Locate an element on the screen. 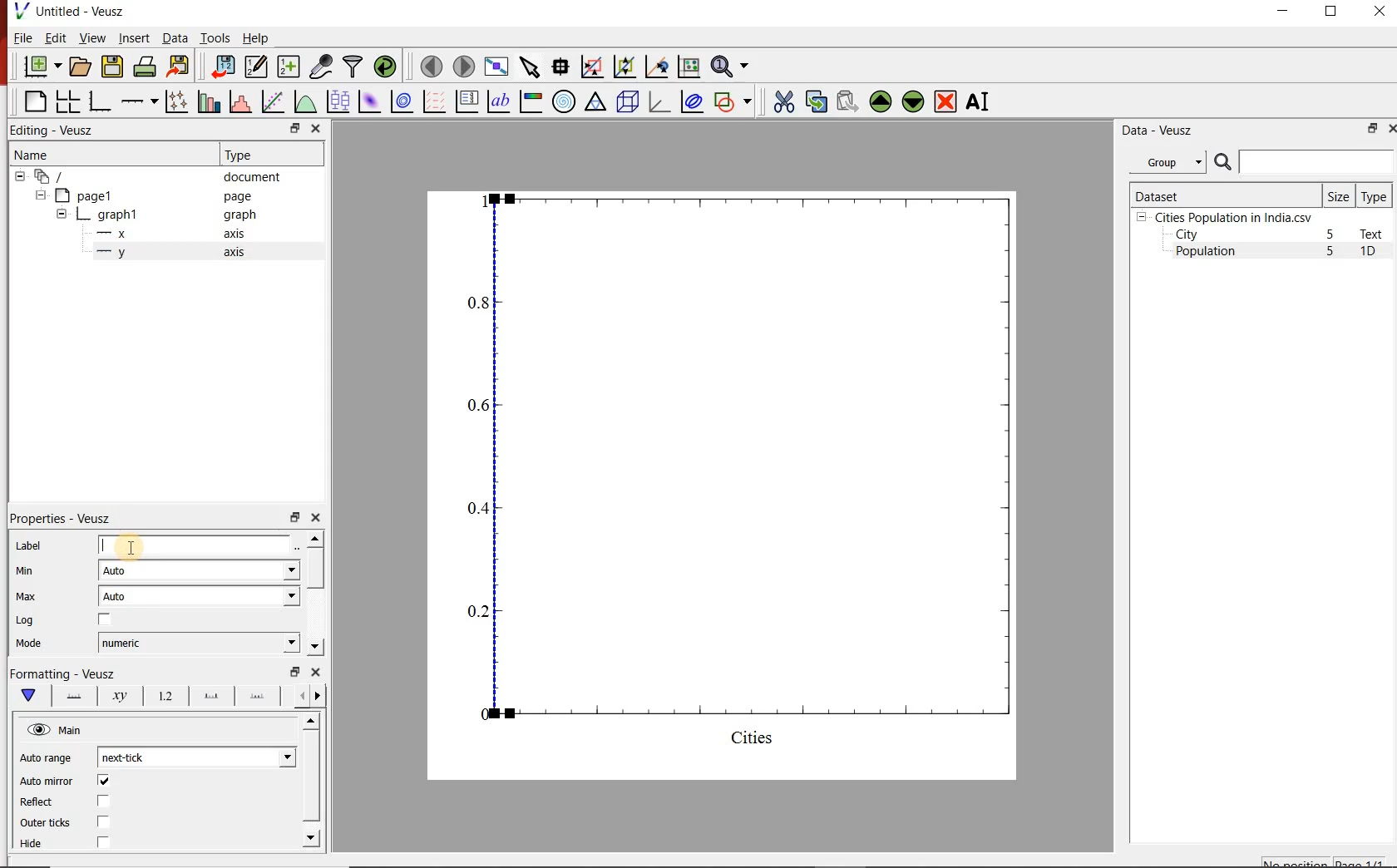  click to recenter graph axes is located at coordinates (655, 67).